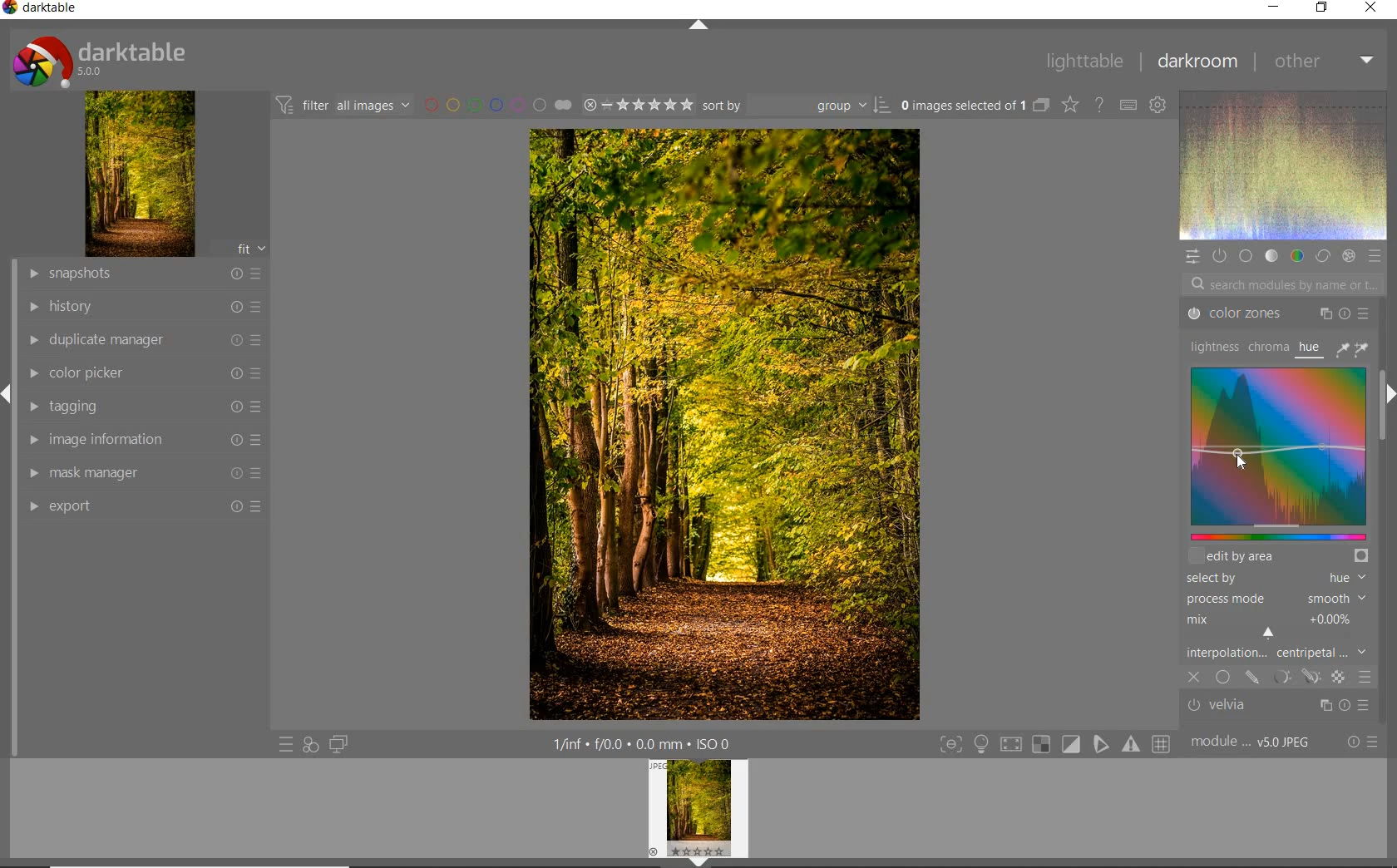 The width and height of the screenshot is (1397, 868). I want to click on PRESET , so click(1375, 255).